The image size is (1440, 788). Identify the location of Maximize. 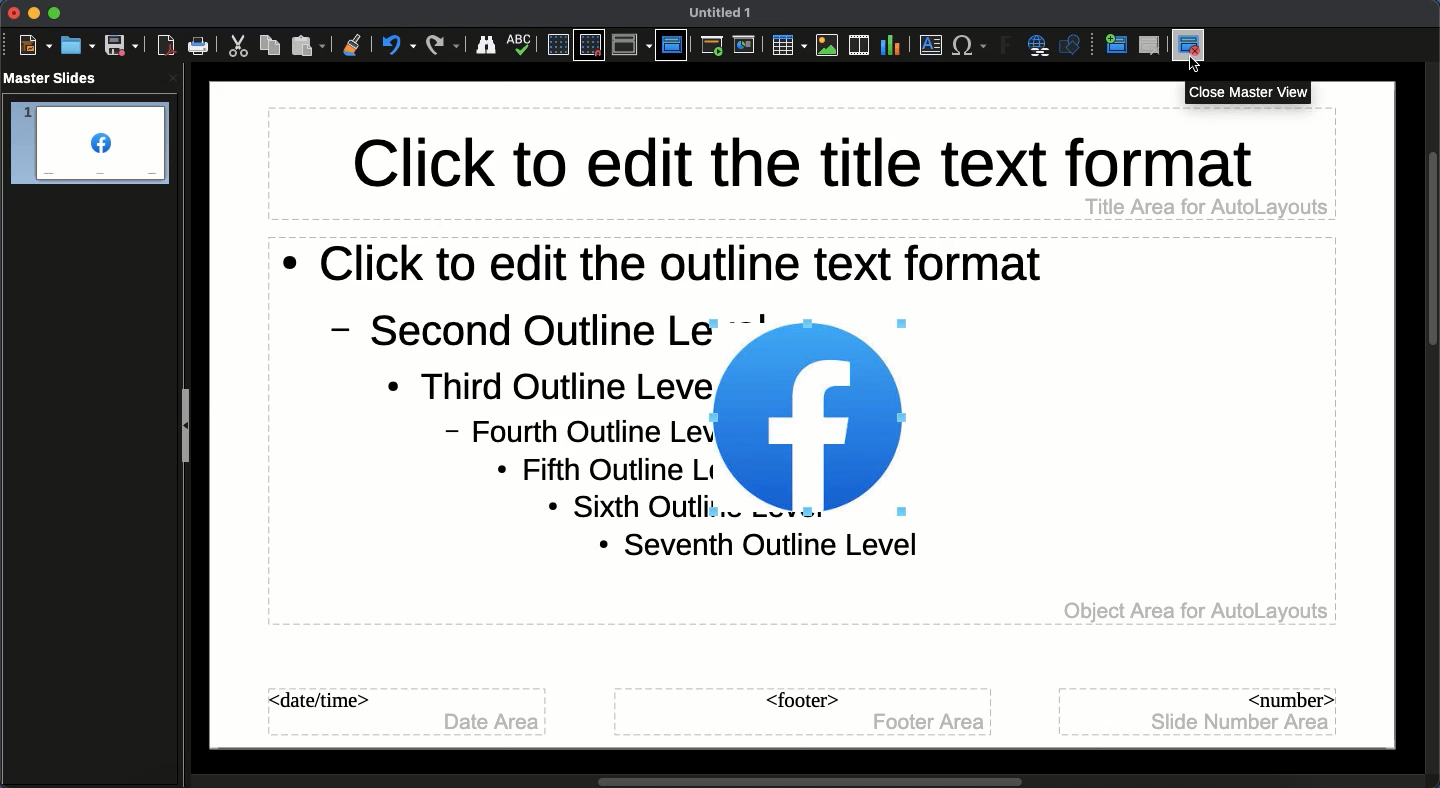
(54, 14).